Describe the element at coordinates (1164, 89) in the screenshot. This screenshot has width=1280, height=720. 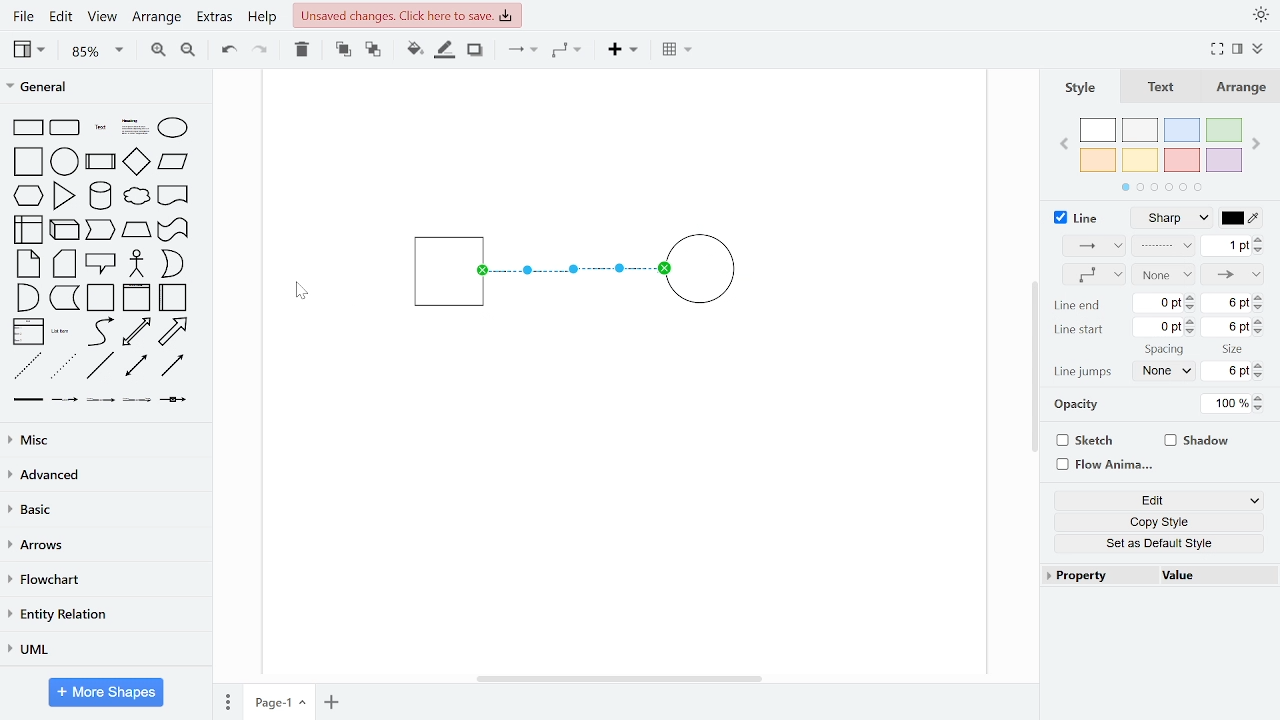
I see `text` at that location.